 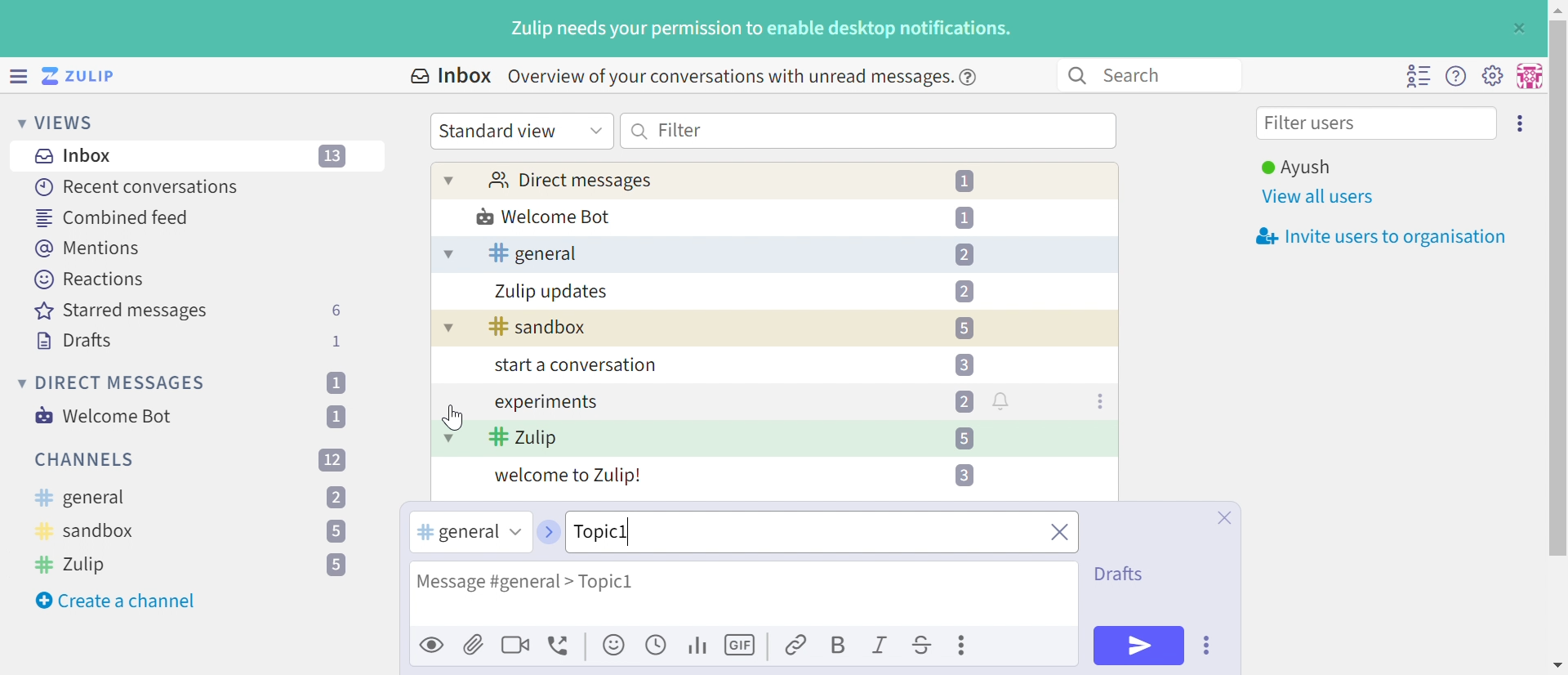 What do you see at coordinates (964, 645) in the screenshot?
I see `More` at bounding box center [964, 645].